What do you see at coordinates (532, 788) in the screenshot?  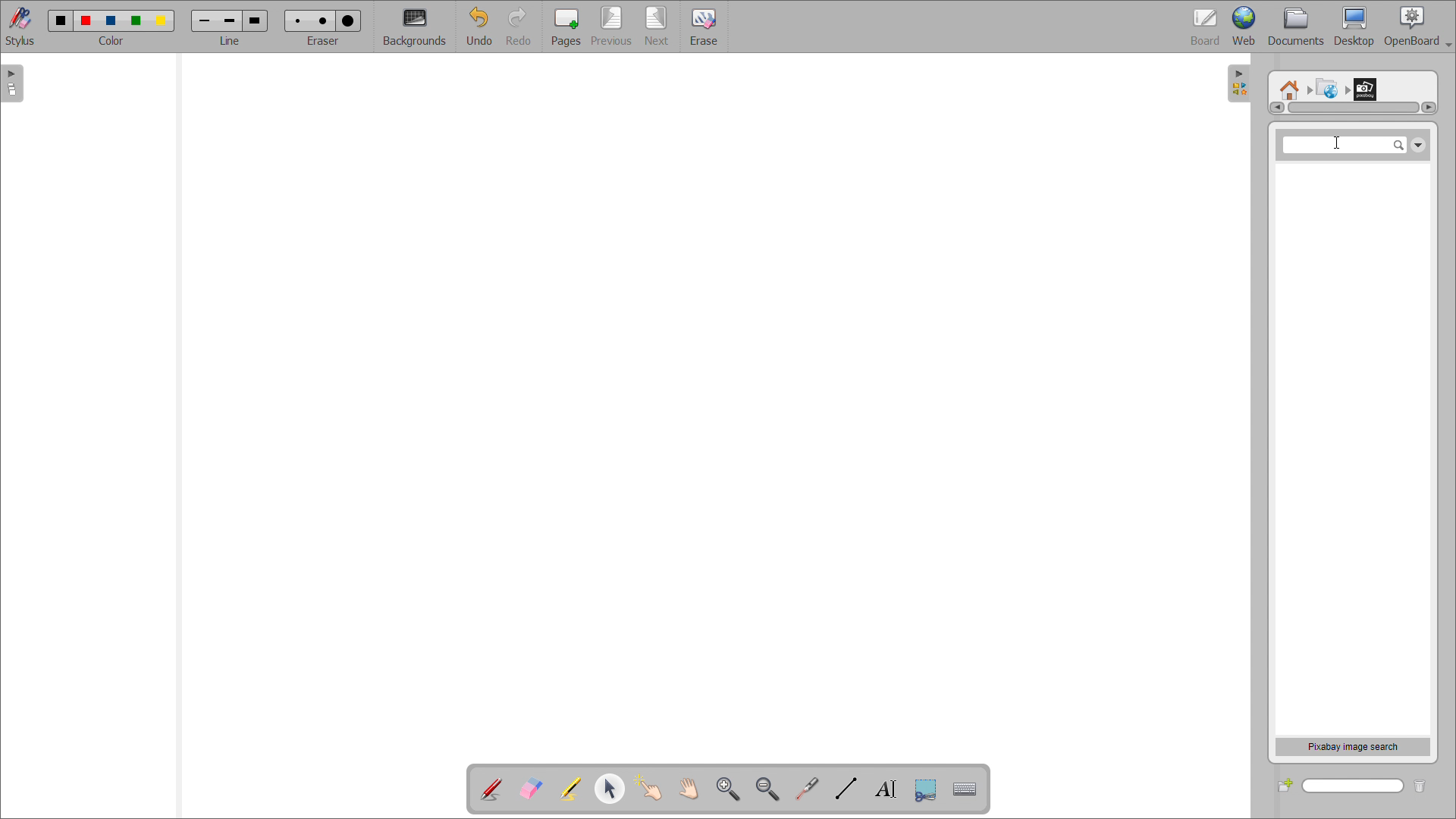 I see `erase annotation` at bounding box center [532, 788].